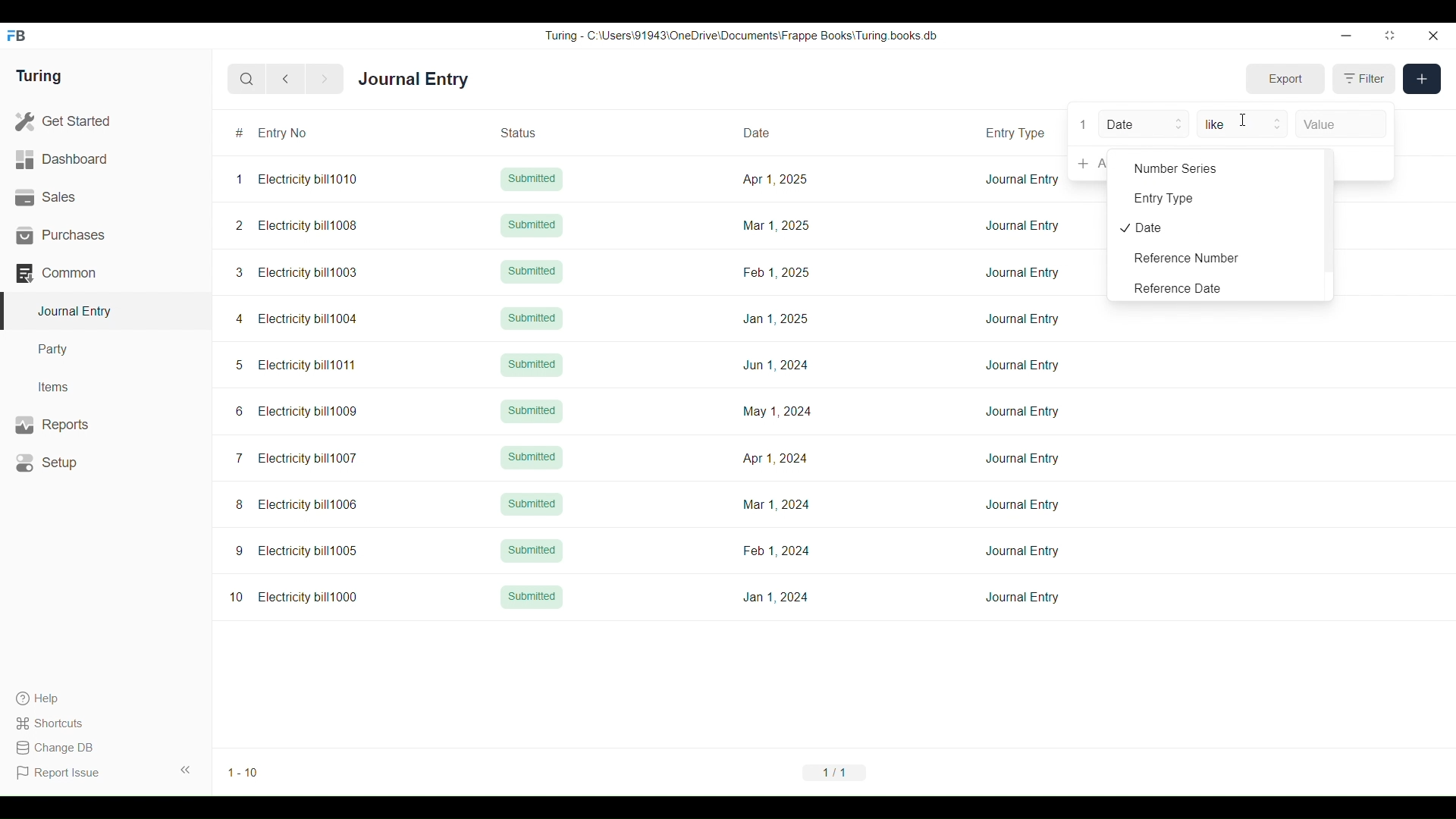 This screenshot has height=819, width=1456. I want to click on like, so click(1242, 124).